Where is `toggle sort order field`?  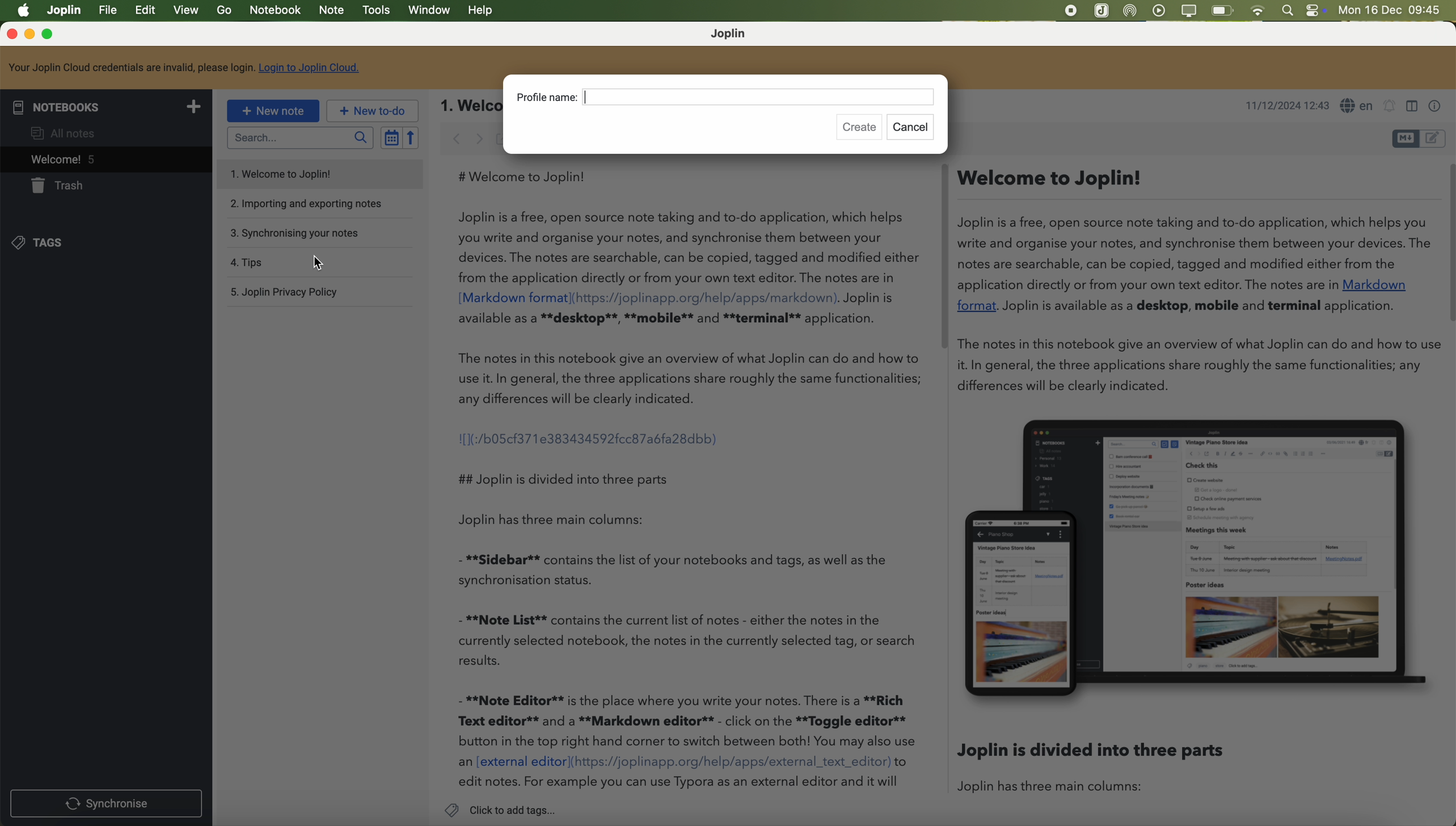 toggle sort order field is located at coordinates (389, 137).